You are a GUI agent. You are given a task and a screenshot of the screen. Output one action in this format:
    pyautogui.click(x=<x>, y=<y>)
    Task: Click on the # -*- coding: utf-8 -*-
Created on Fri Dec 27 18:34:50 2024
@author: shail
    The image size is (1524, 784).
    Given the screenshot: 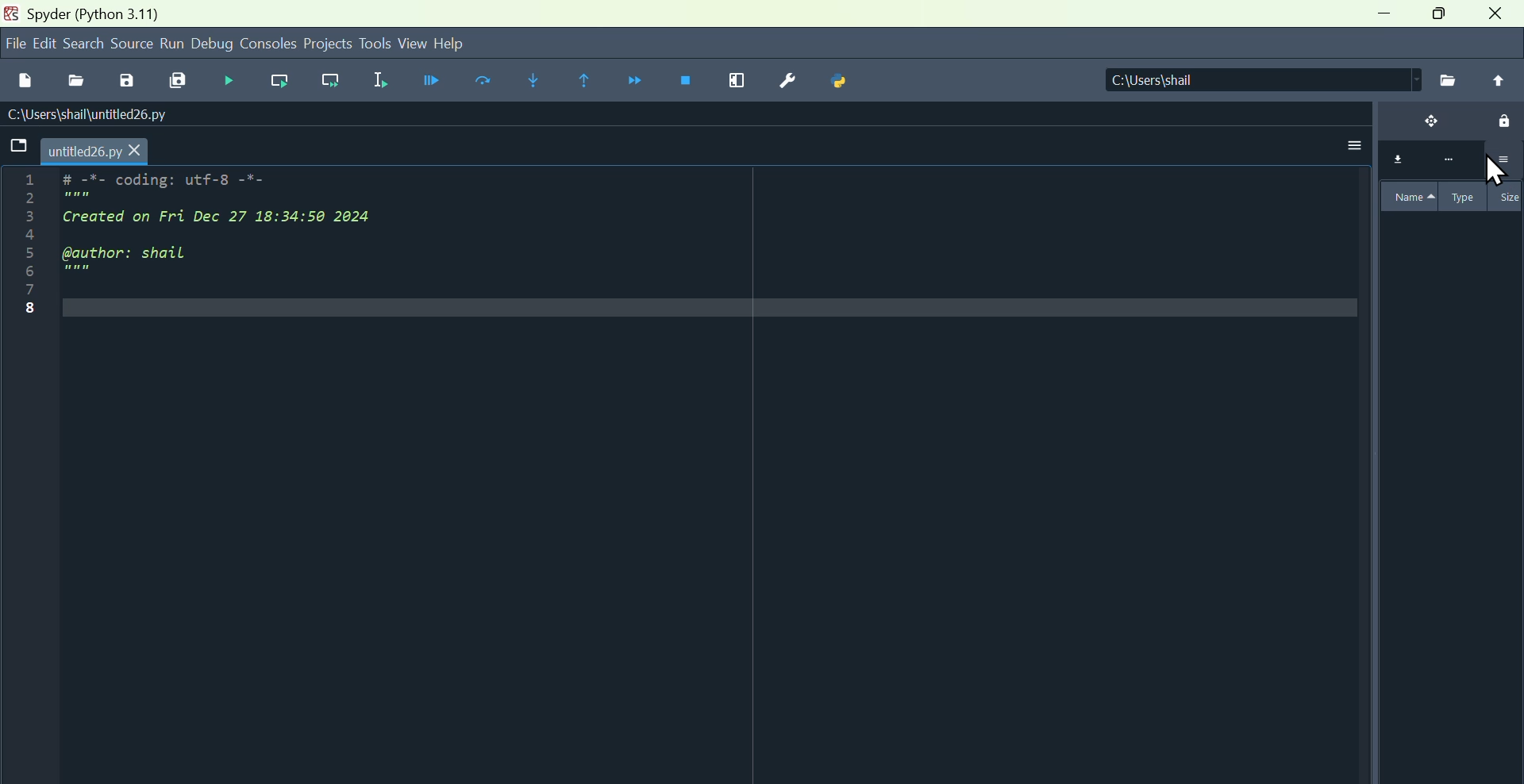 What is the action you would take?
    pyautogui.click(x=254, y=234)
    